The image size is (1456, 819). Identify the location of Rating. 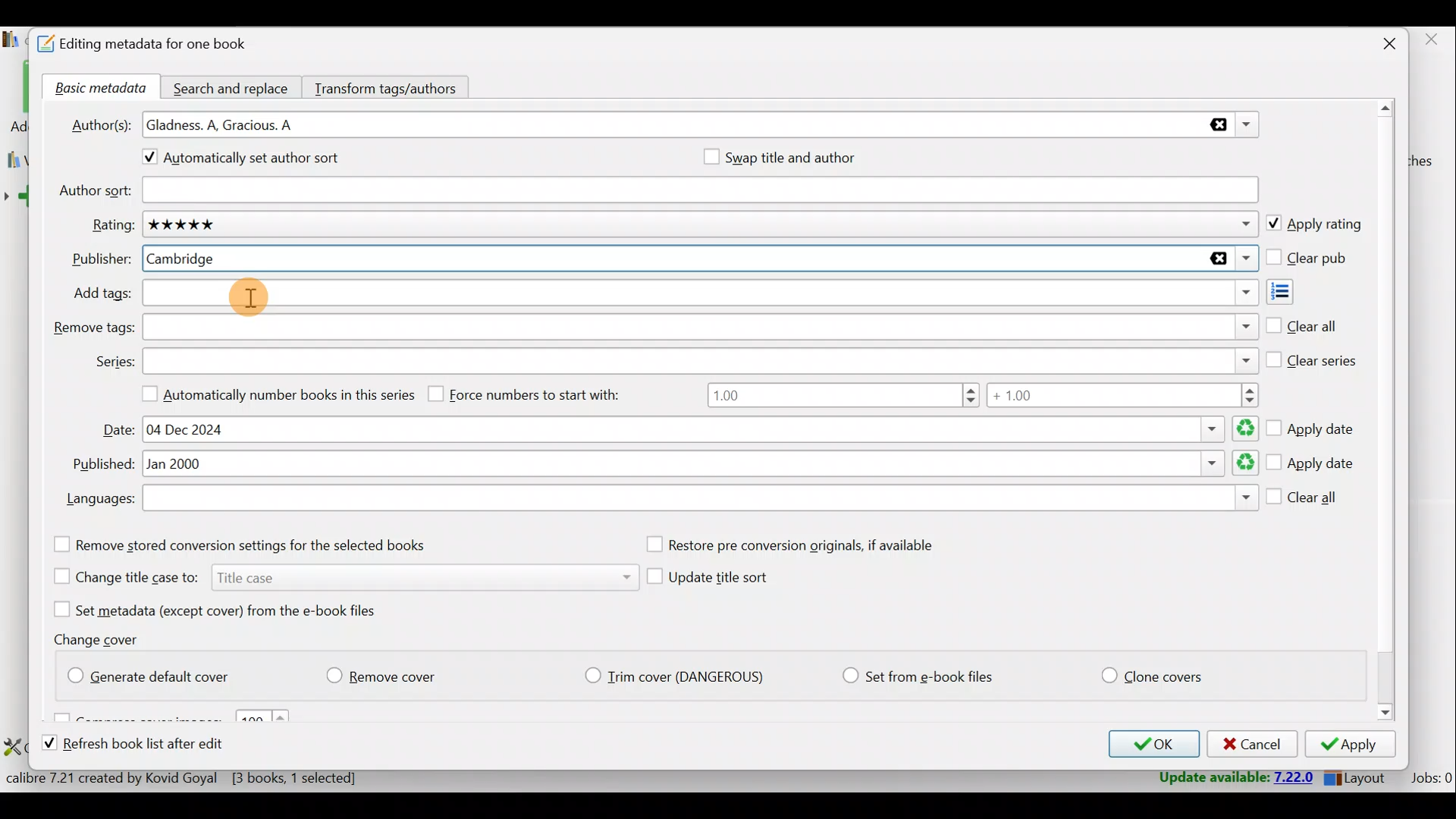
(703, 227).